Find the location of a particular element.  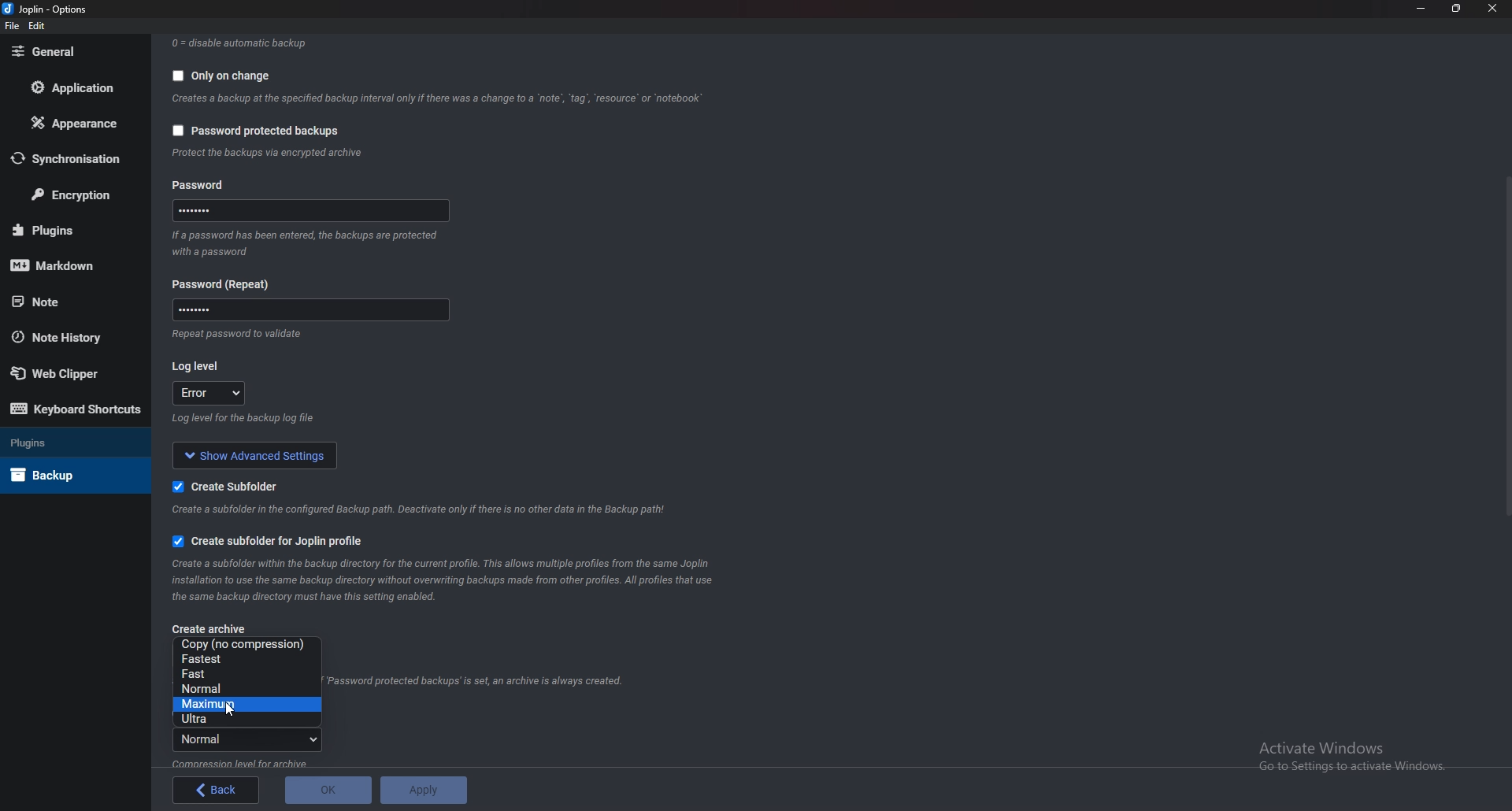

fast is located at coordinates (243, 674).